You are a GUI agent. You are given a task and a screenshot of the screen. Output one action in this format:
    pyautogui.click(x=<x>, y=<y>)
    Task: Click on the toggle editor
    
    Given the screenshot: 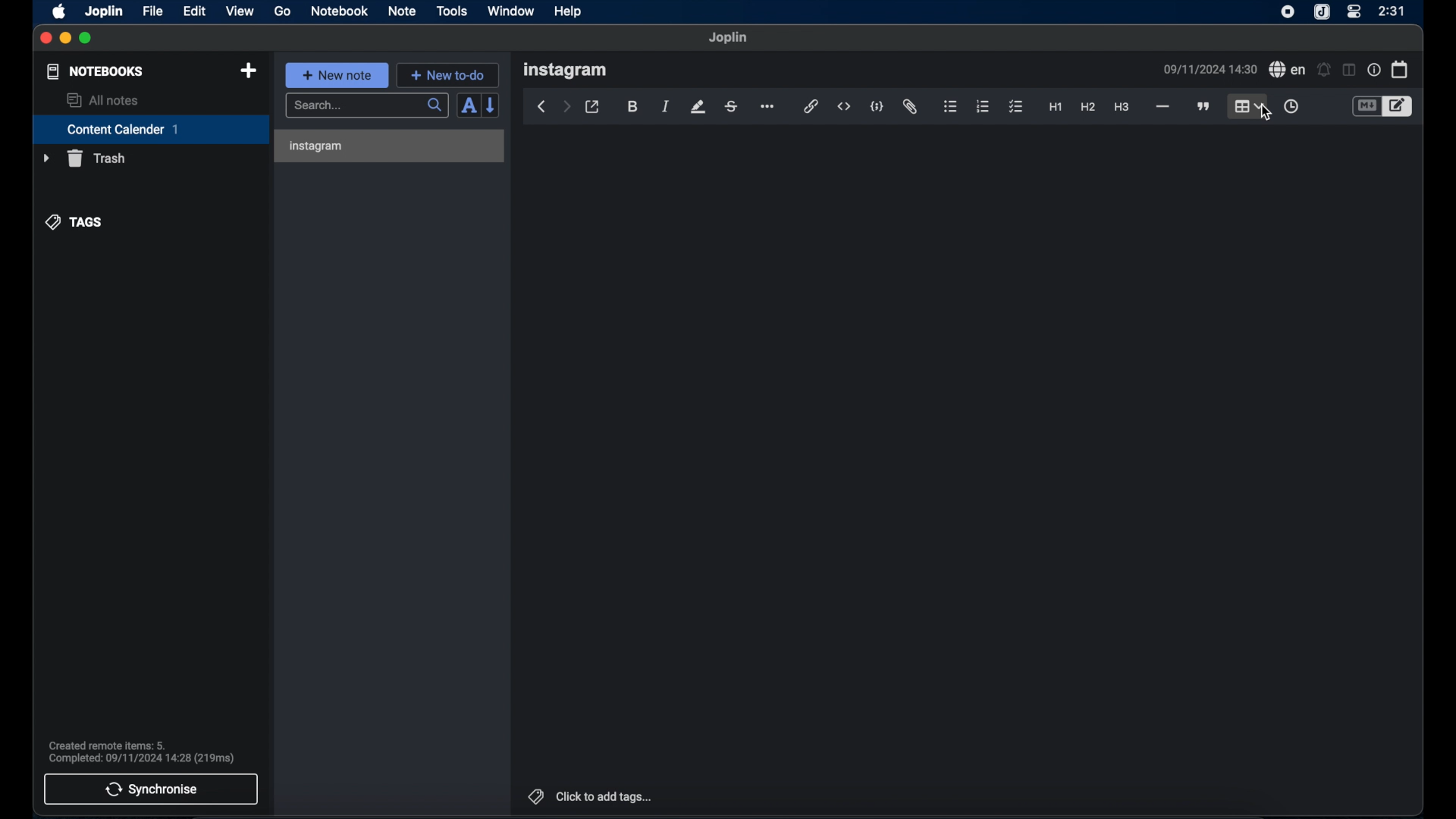 What is the action you would take?
    pyautogui.click(x=1401, y=106)
    